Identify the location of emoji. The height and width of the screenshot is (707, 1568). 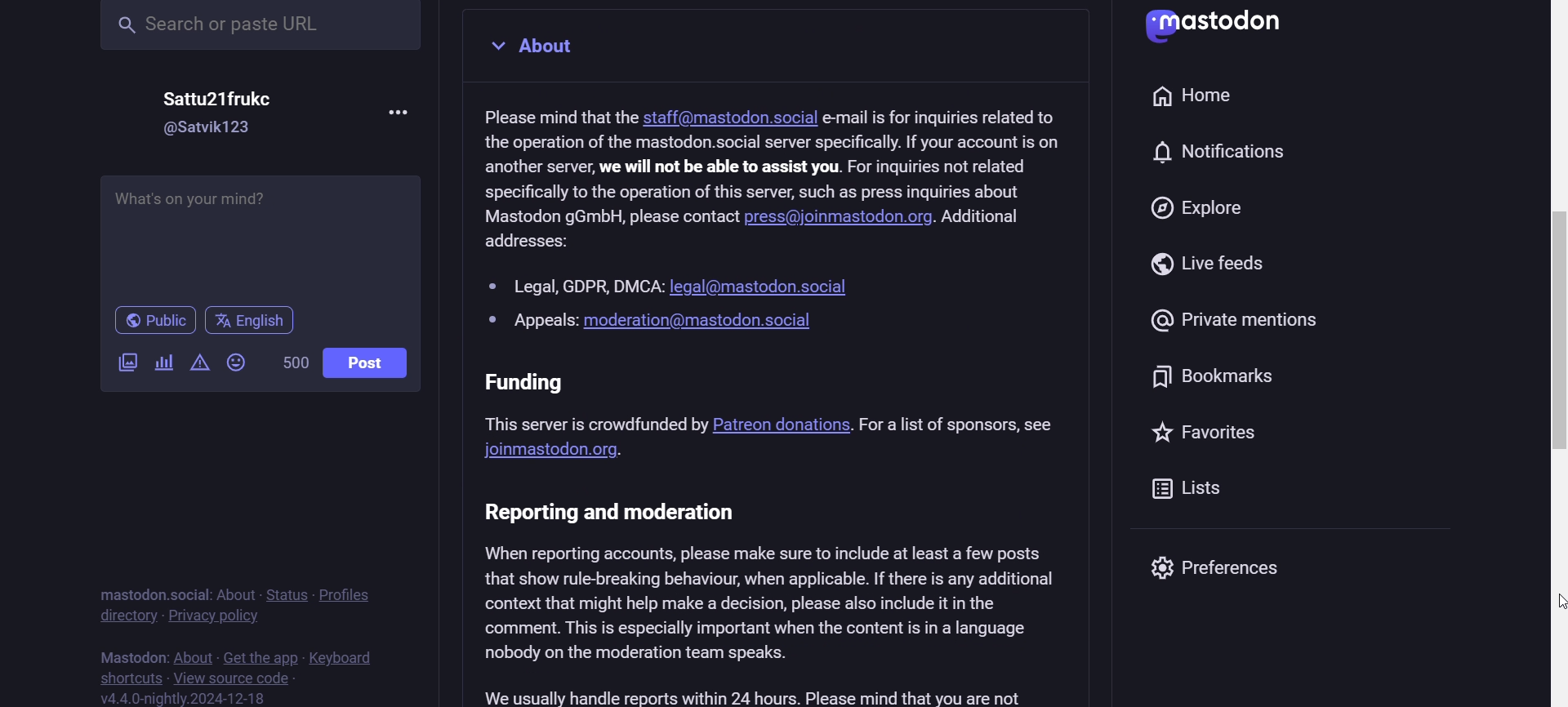
(239, 364).